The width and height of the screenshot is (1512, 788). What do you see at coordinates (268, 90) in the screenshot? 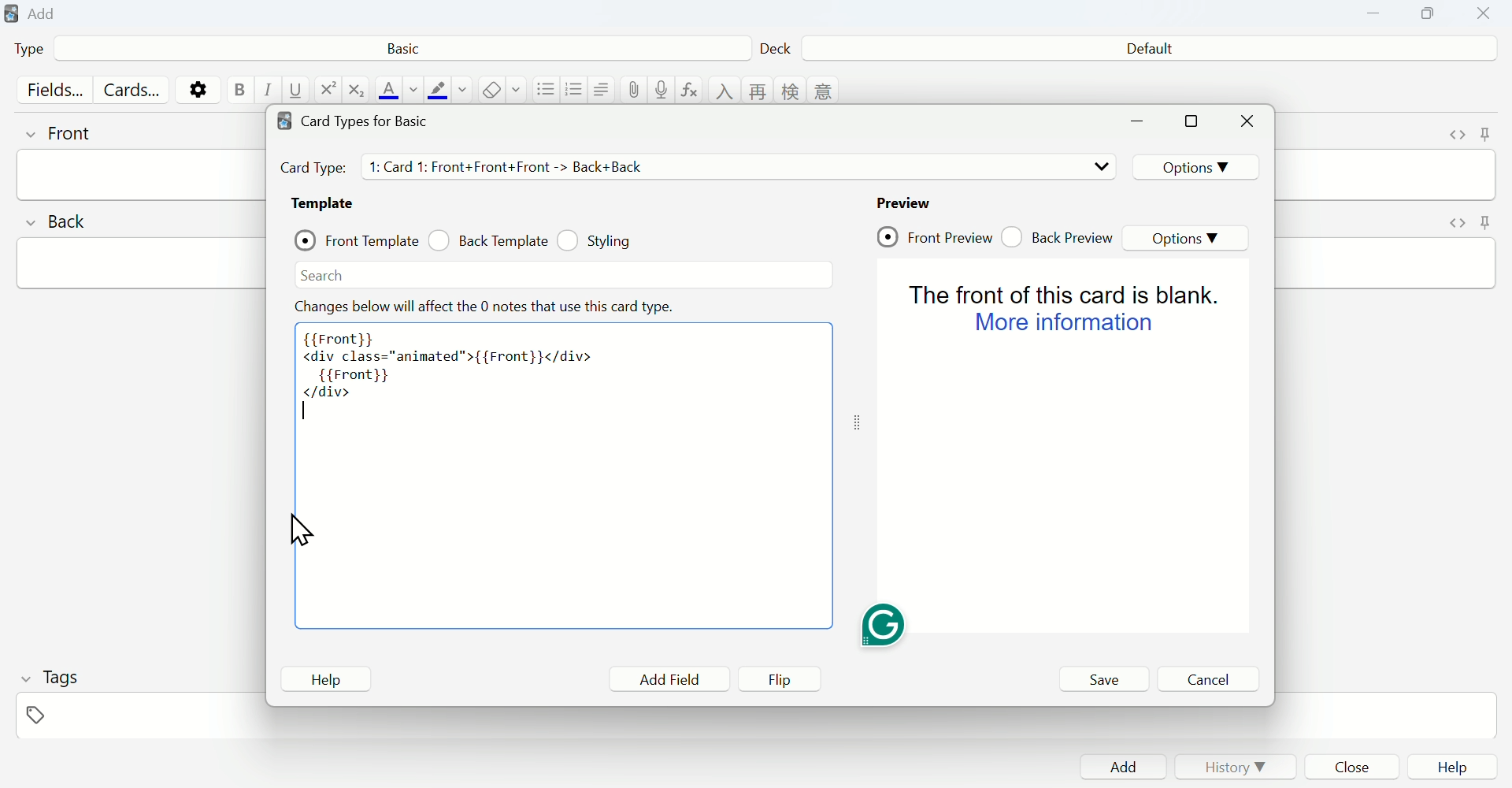
I see `italic text` at bounding box center [268, 90].